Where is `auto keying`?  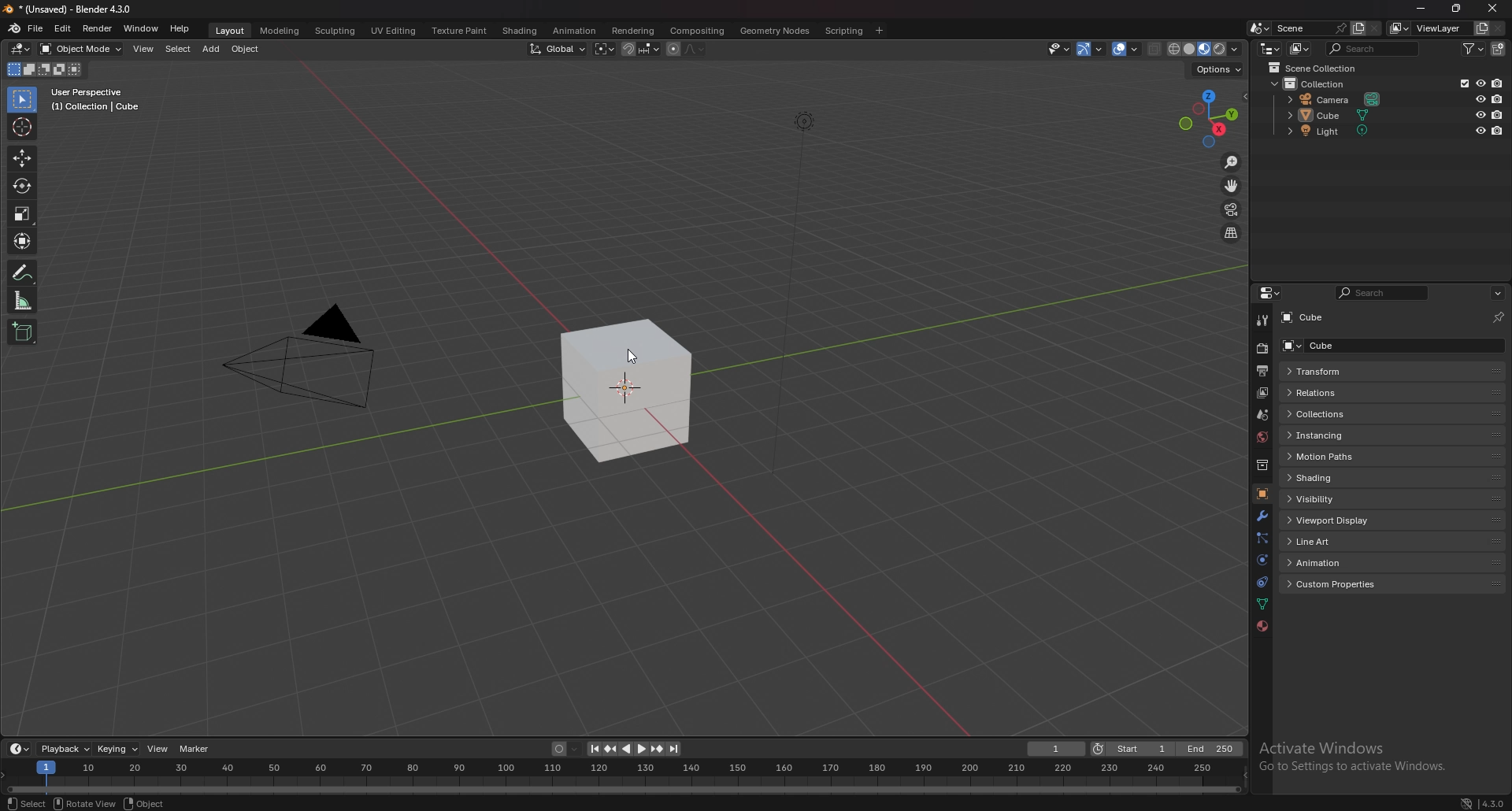
auto keying is located at coordinates (566, 749).